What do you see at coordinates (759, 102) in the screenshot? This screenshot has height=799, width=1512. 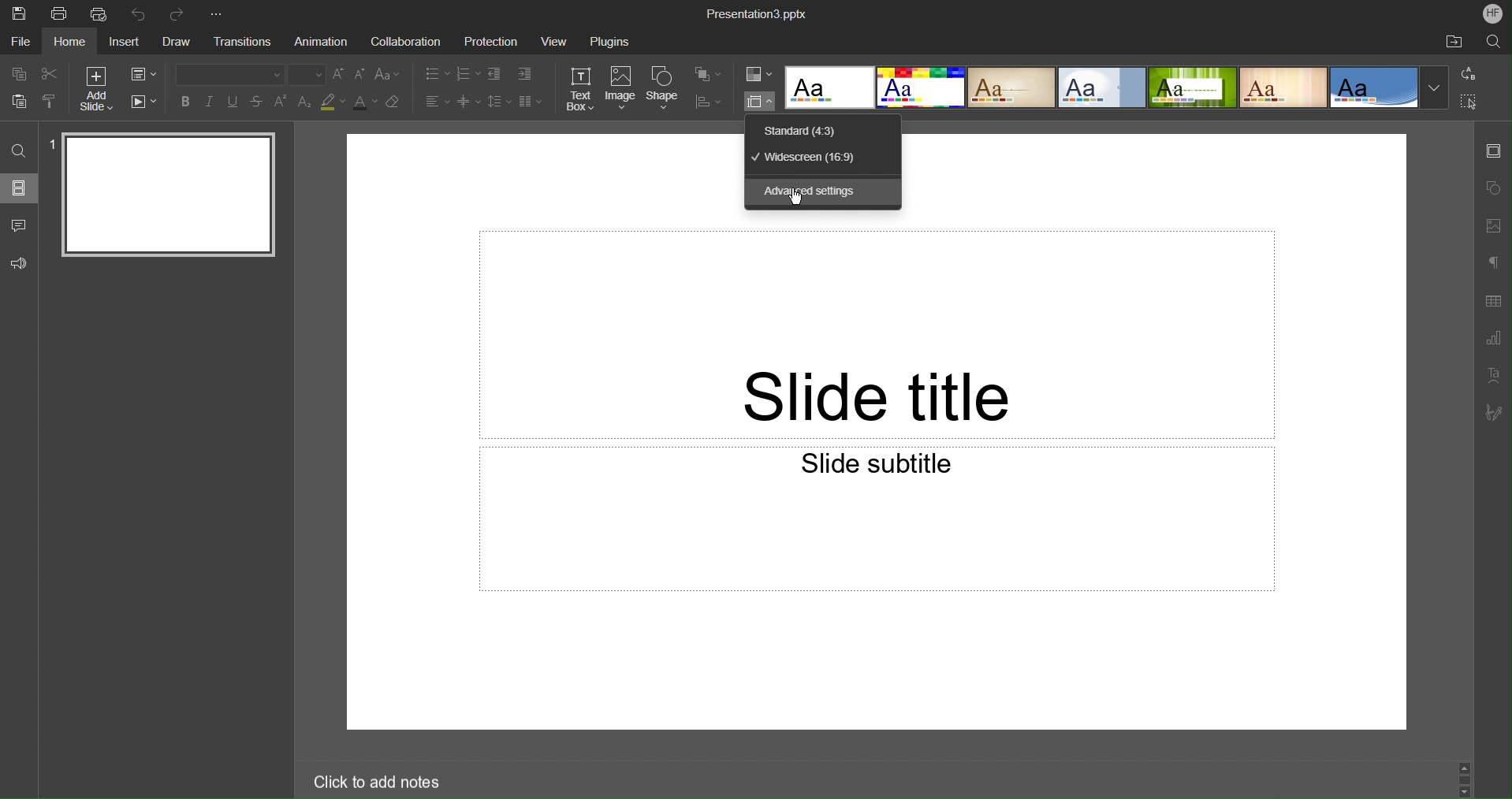 I see `Select Slide Size` at bounding box center [759, 102].